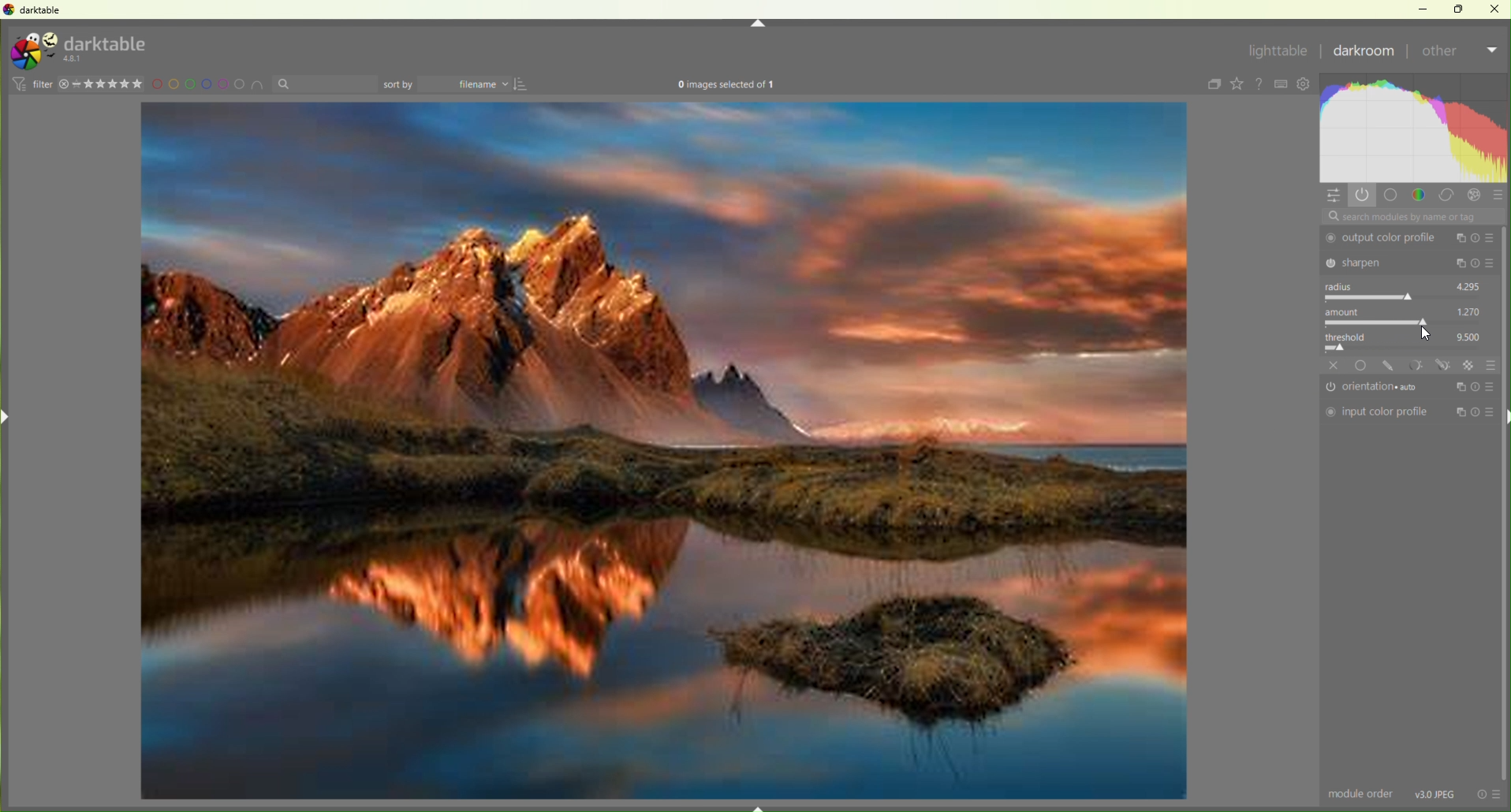  I want to click on base, so click(1362, 365).